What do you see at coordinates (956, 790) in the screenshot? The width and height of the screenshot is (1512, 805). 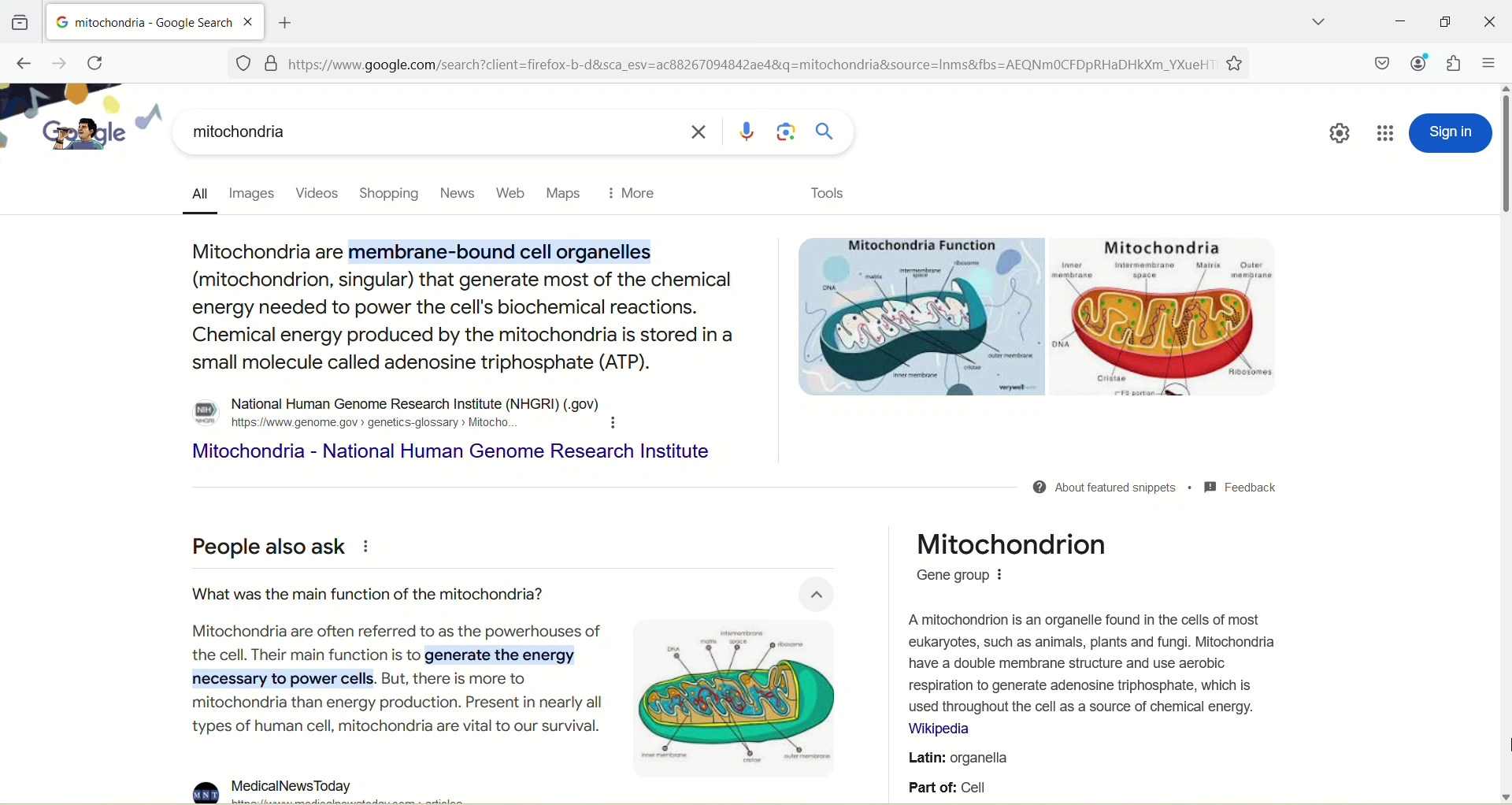 I see `part of cell` at bounding box center [956, 790].